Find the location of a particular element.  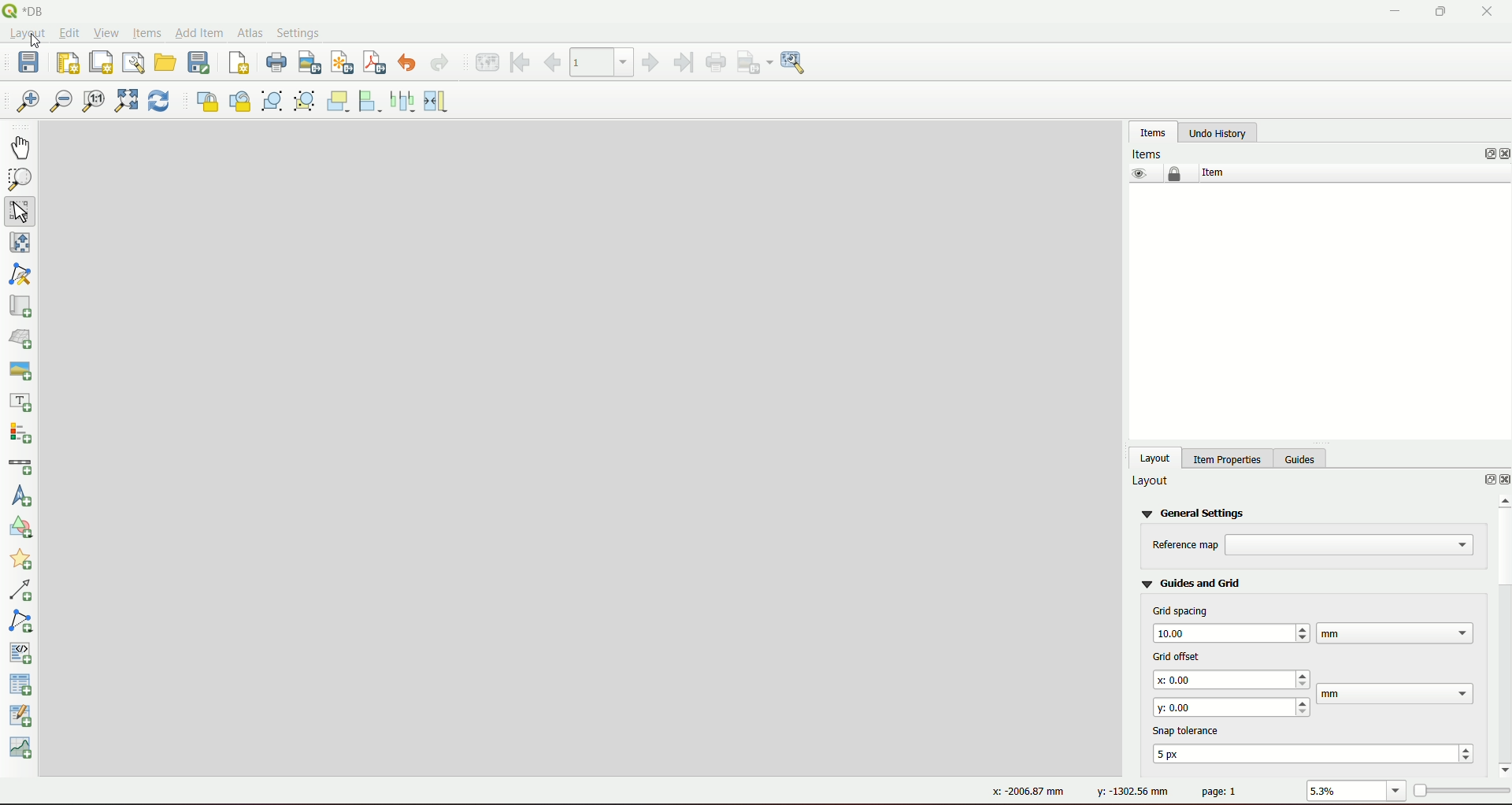

layout manager is located at coordinates (133, 62).